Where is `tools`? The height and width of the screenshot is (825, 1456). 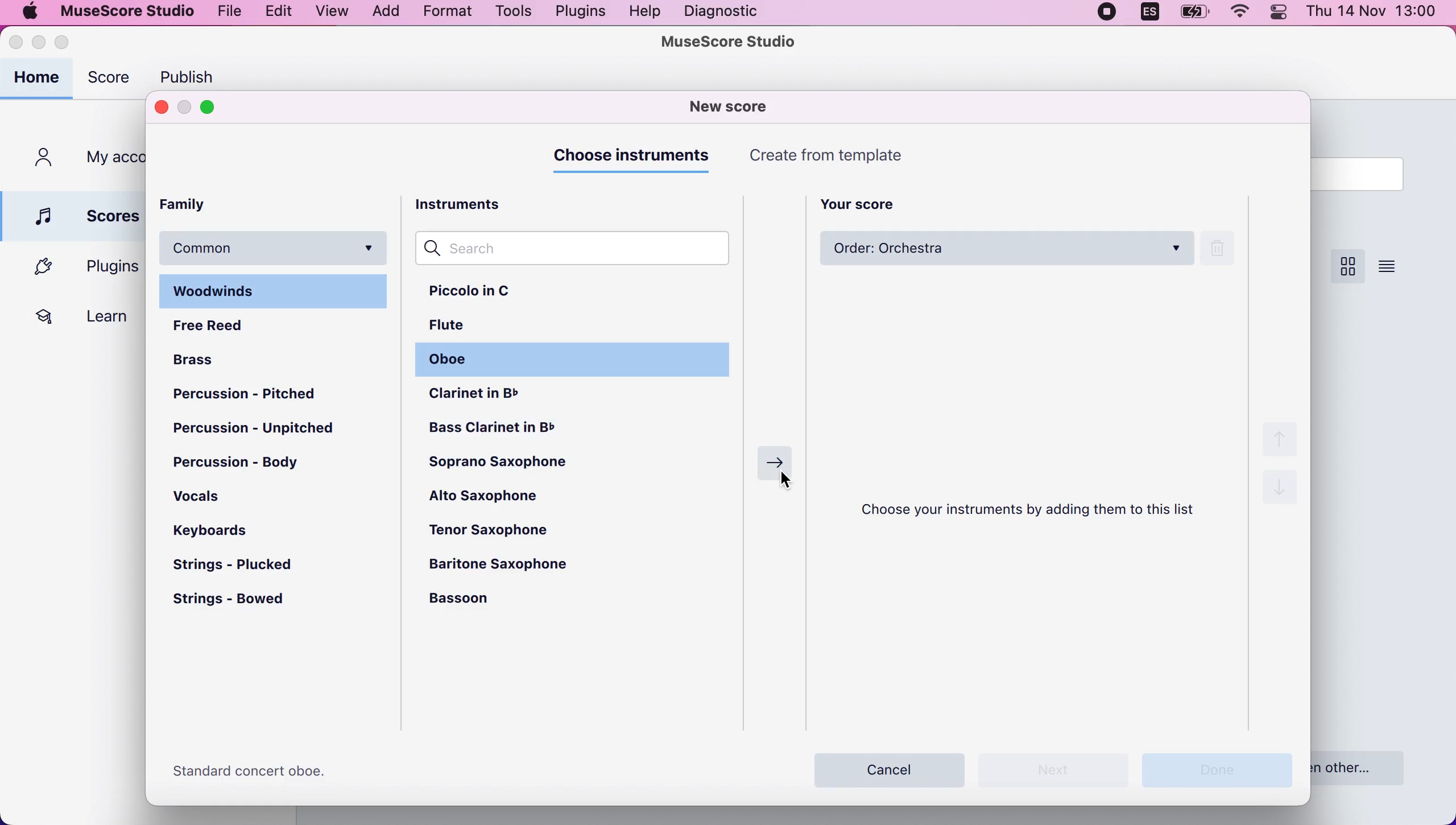 tools is located at coordinates (515, 13).